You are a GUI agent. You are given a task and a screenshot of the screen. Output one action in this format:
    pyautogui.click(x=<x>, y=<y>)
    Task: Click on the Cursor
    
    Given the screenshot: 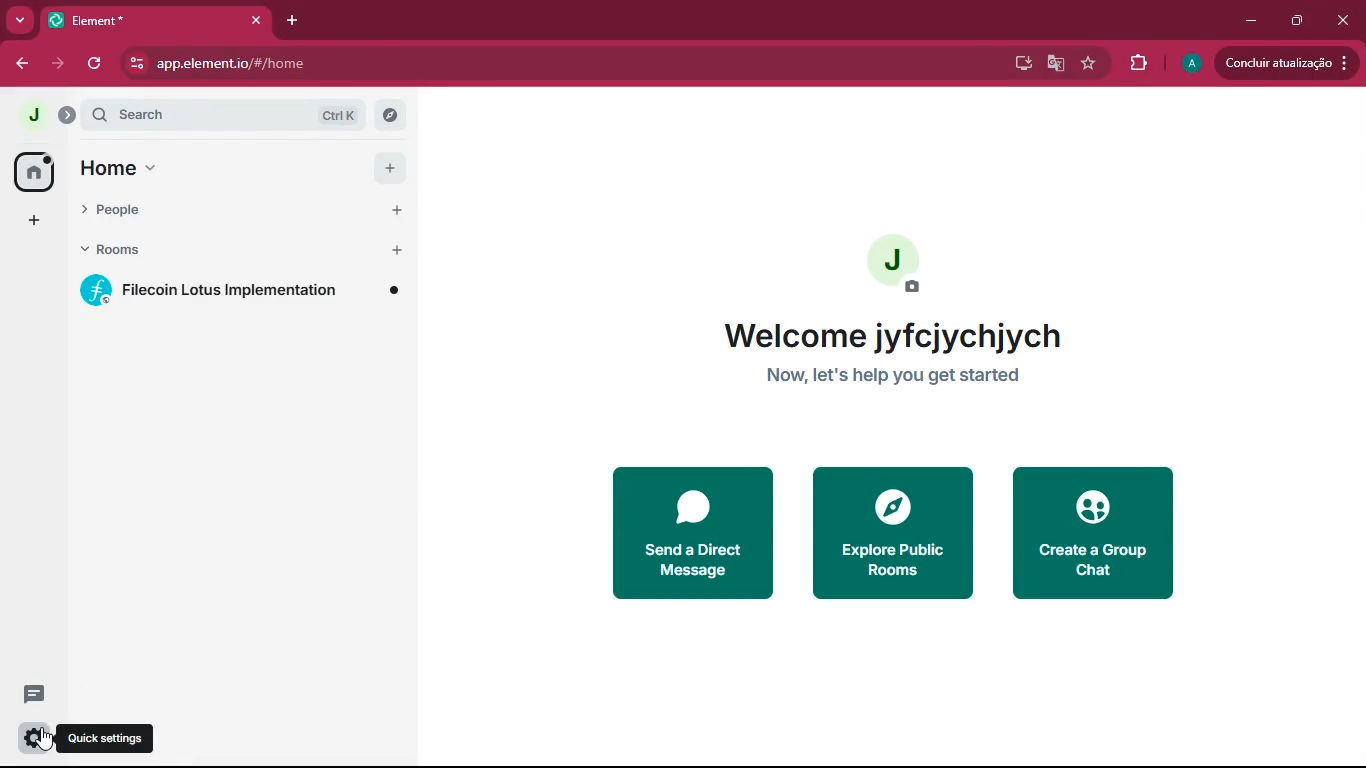 What is the action you would take?
    pyautogui.click(x=46, y=738)
    